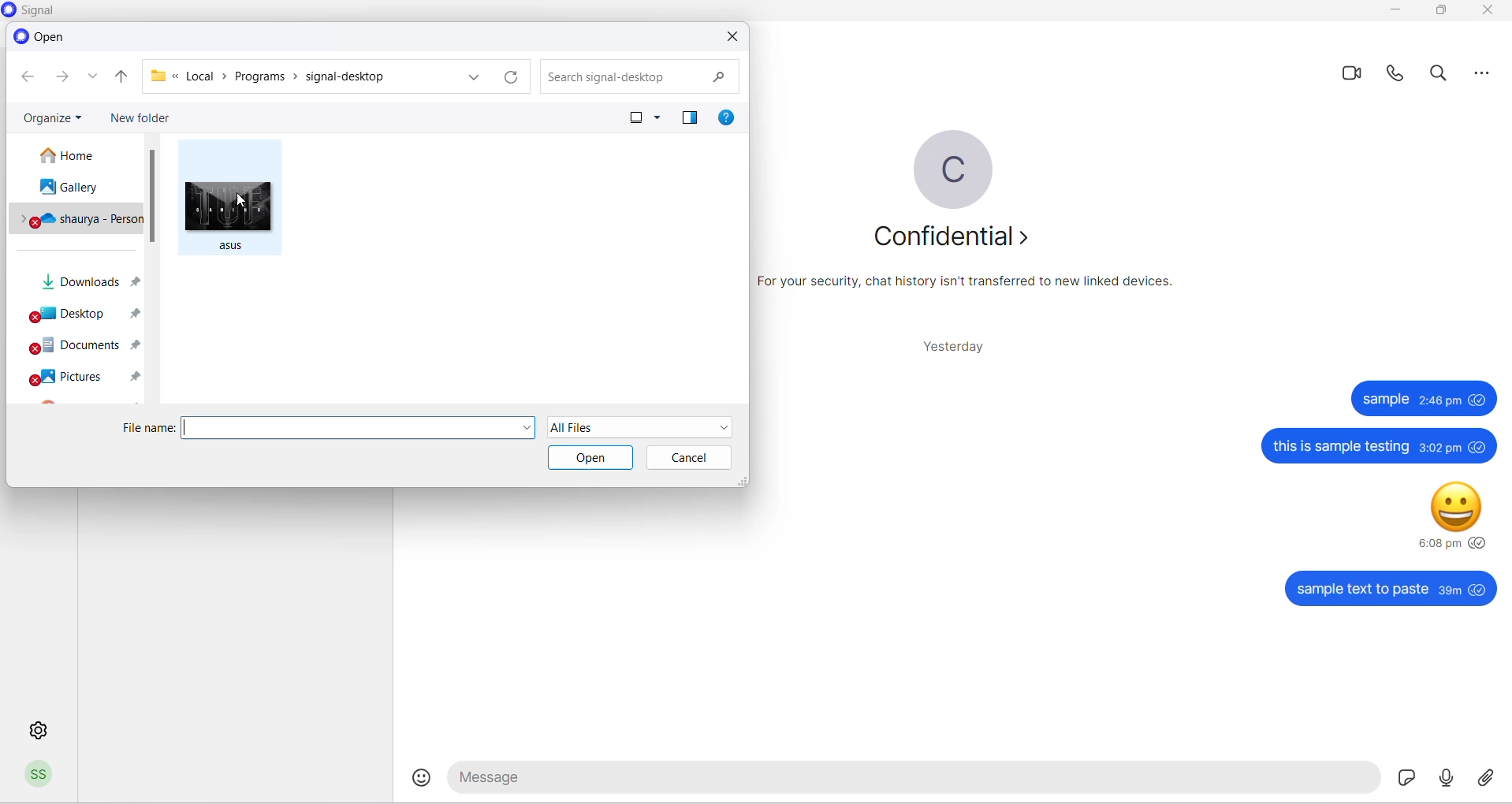 The image size is (1512, 804). Describe the element at coordinates (1443, 777) in the screenshot. I see `voice note` at that location.